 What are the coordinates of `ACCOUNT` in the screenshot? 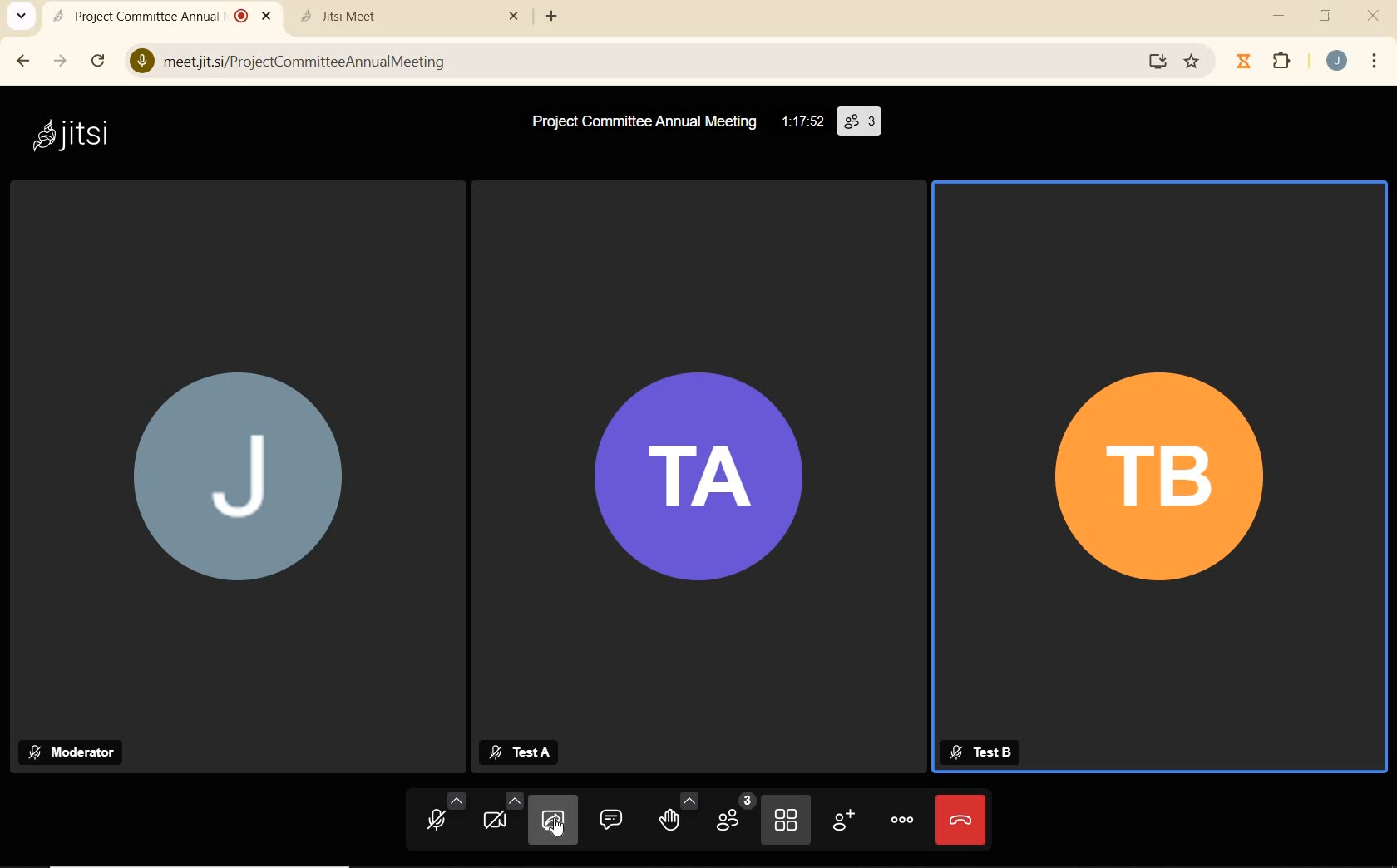 It's located at (1337, 61).